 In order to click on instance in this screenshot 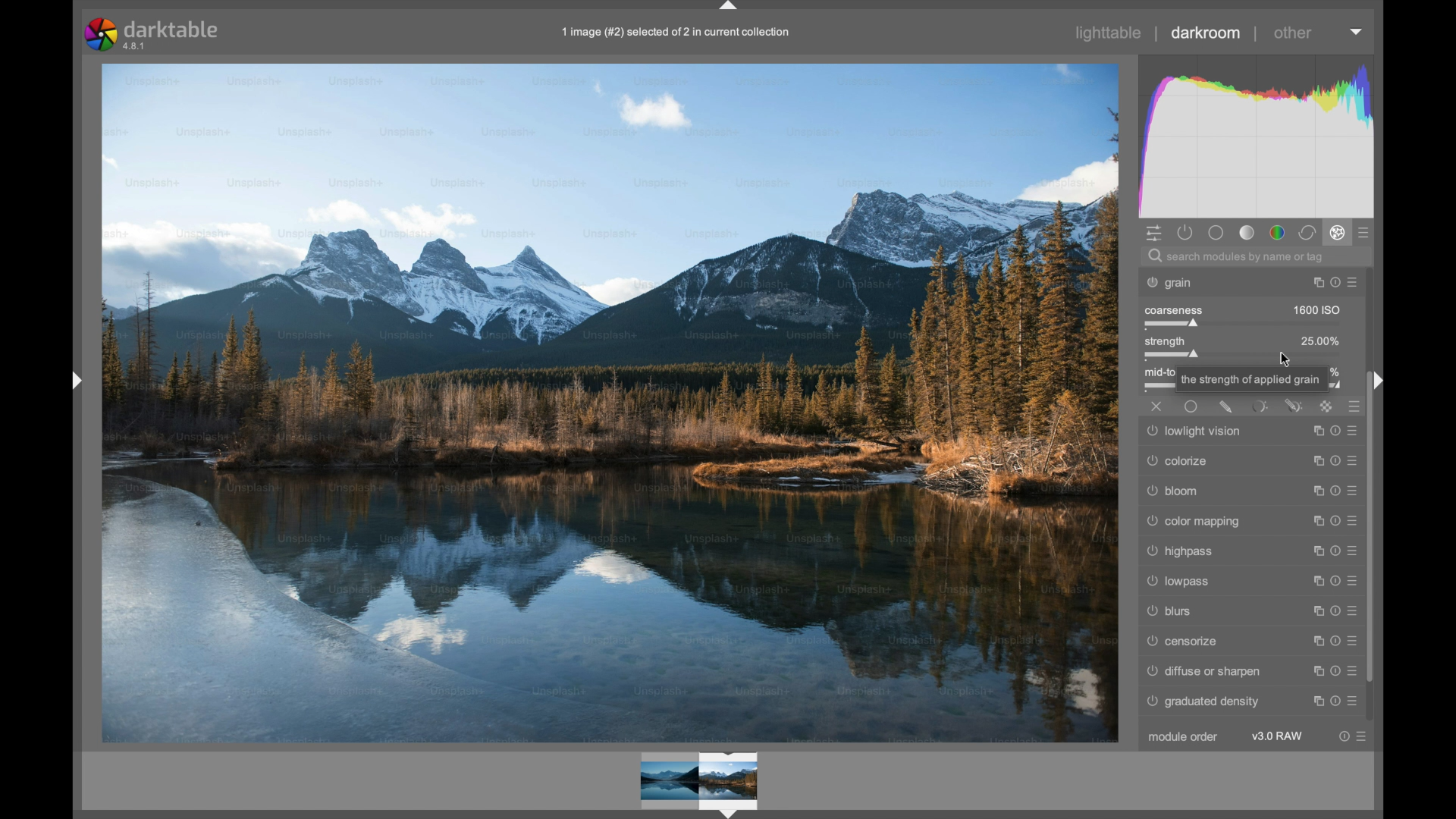, I will do `click(1314, 429)`.